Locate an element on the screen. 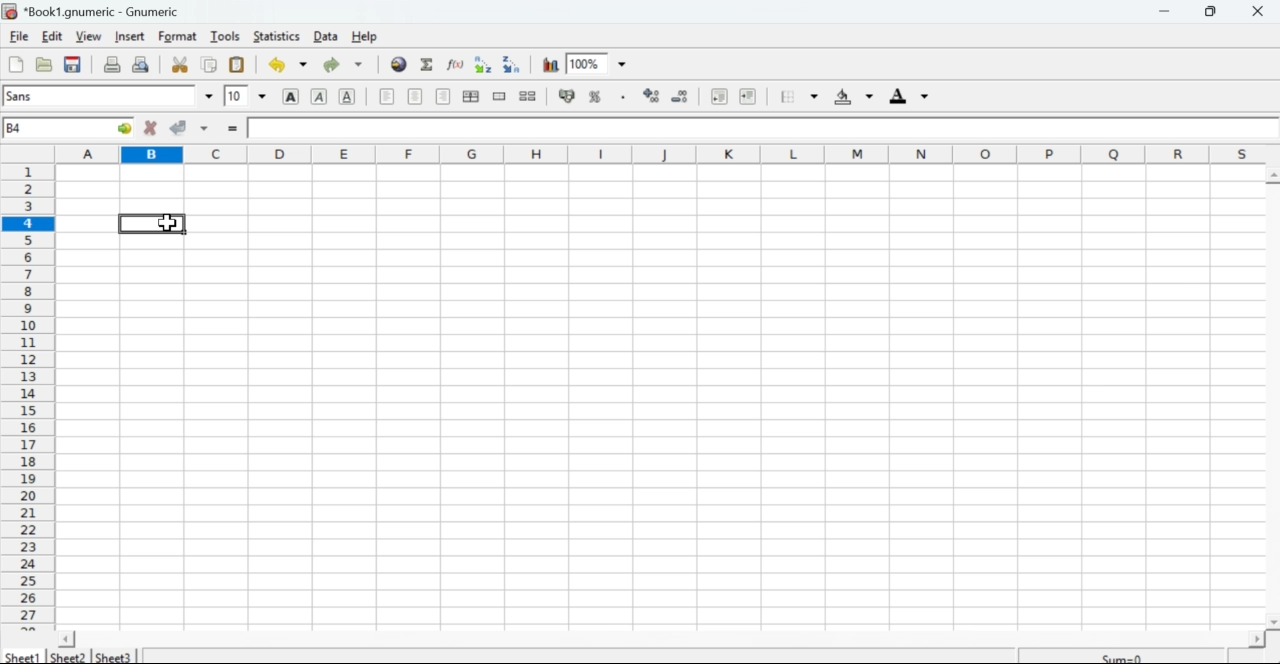 This screenshot has width=1280, height=664. scroll up is located at coordinates (1272, 176).